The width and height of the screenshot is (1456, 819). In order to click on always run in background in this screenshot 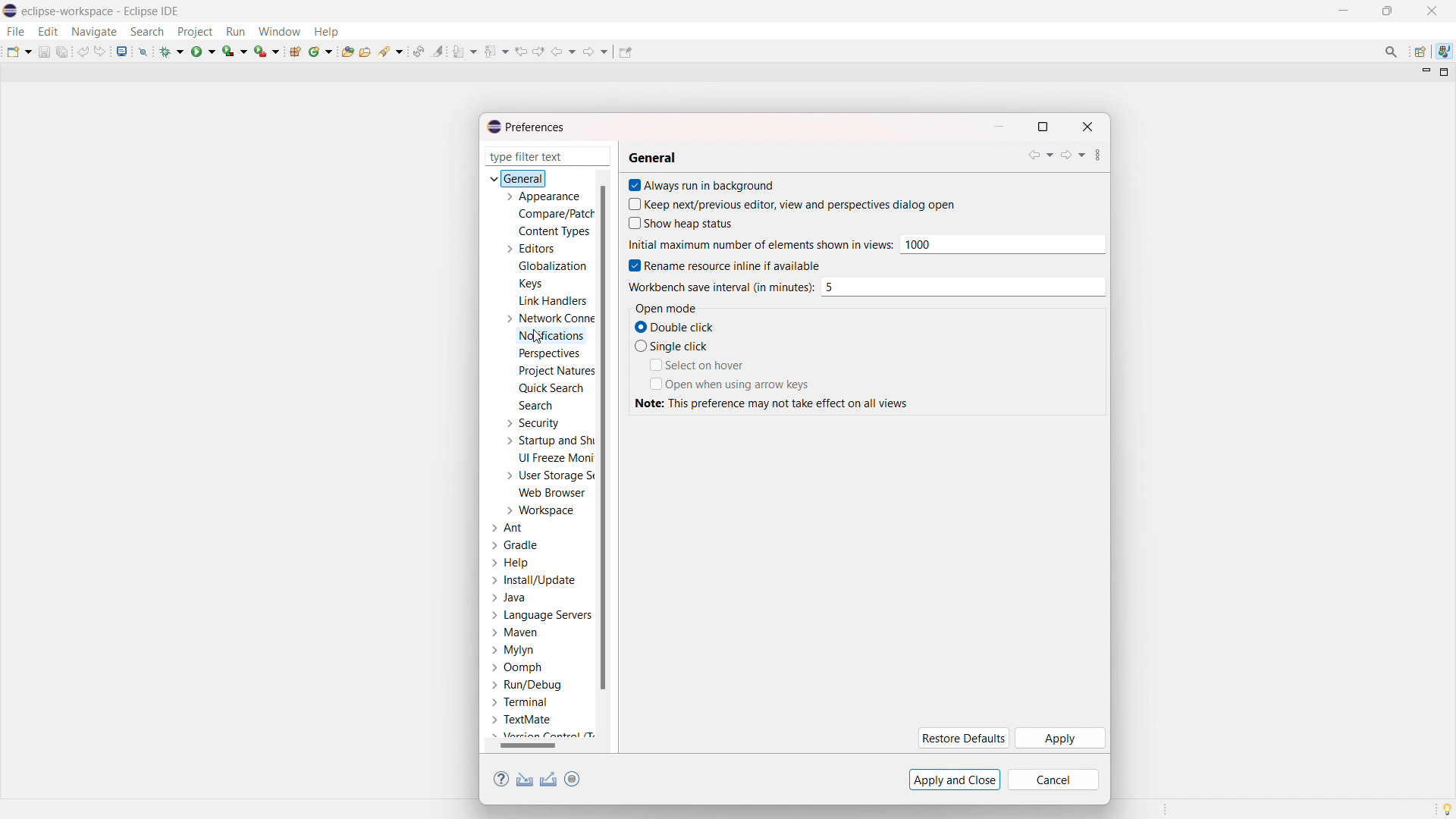, I will do `click(711, 184)`.